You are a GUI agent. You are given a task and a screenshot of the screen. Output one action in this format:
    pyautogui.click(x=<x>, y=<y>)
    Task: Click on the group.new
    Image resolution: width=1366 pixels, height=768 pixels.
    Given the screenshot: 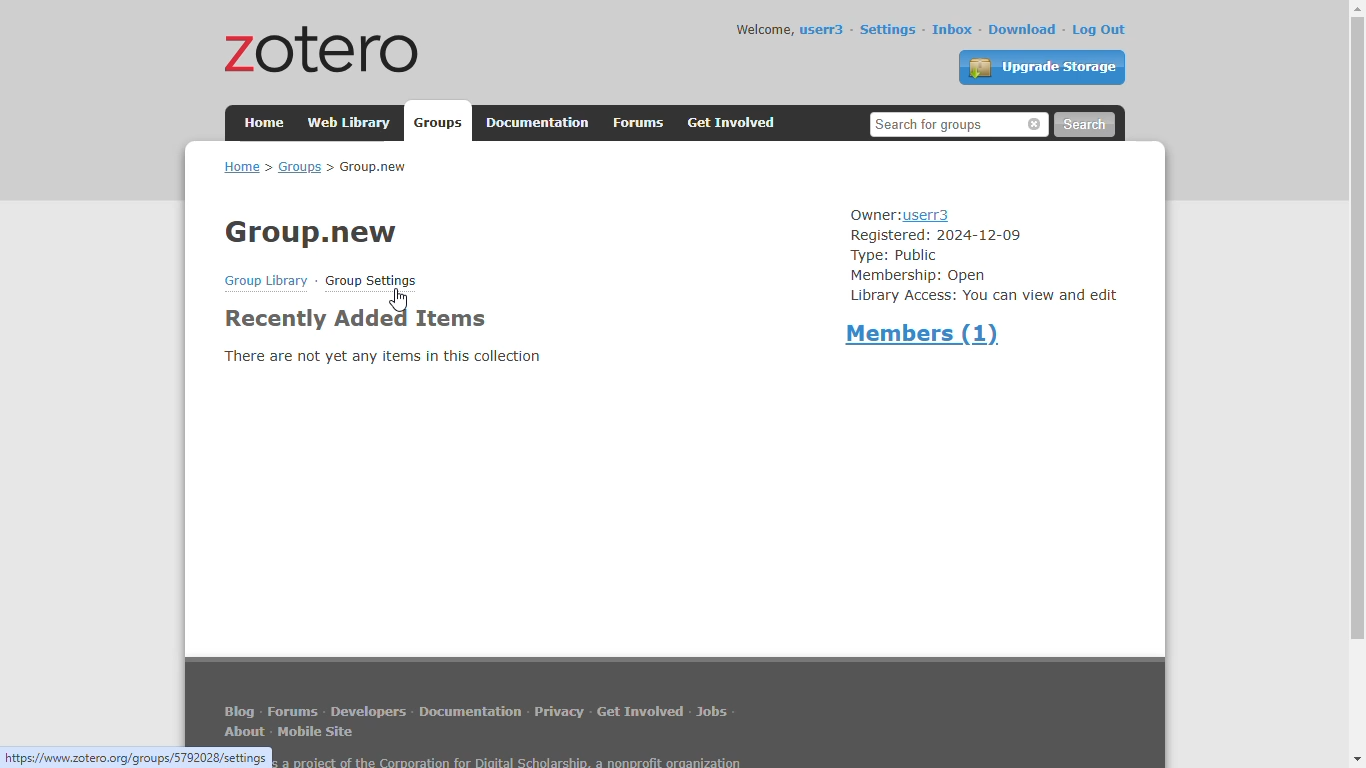 What is the action you would take?
    pyautogui.click(x=311, y=233)
    